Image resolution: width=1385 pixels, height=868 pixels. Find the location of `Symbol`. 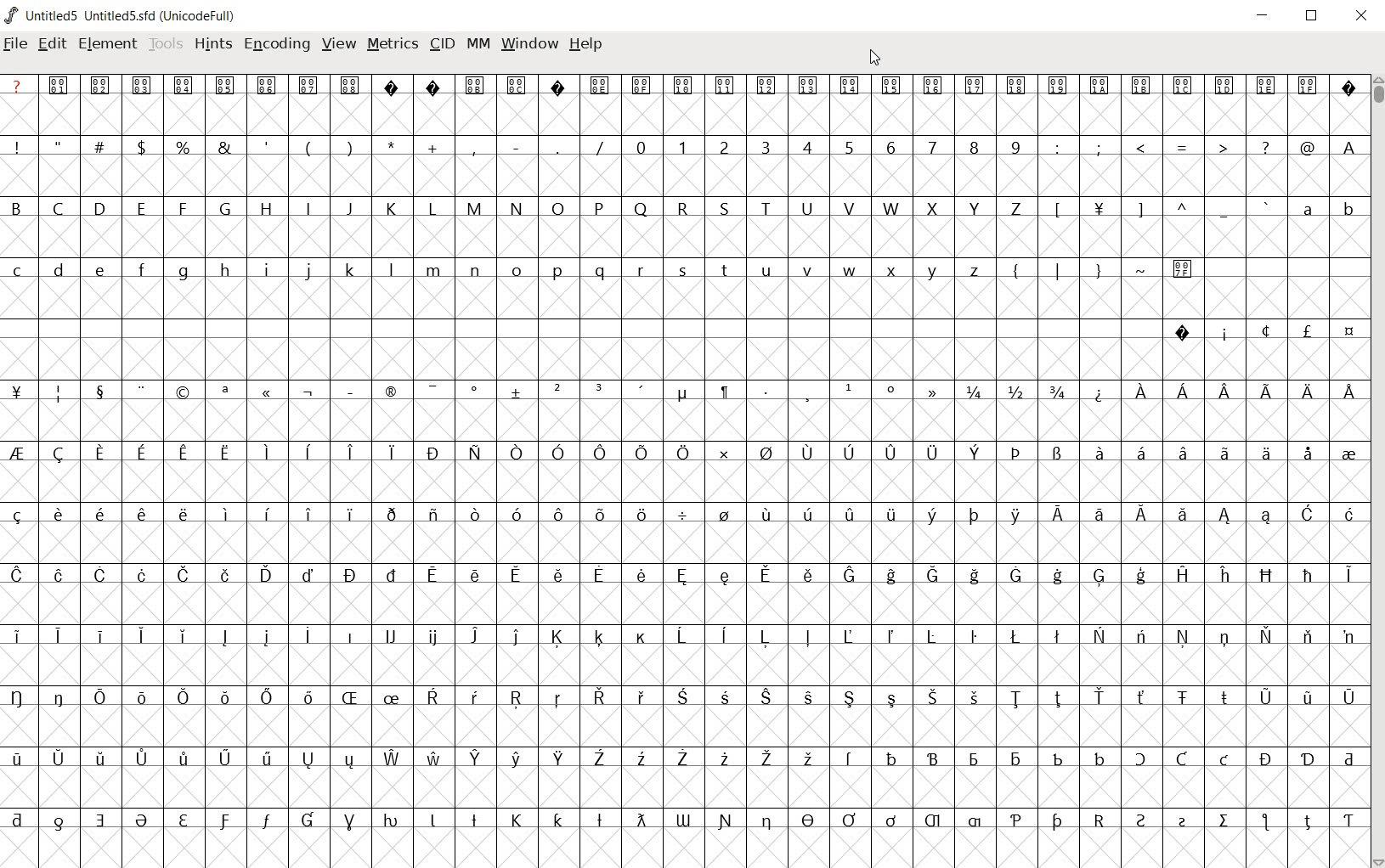

Symbol is located at coordinates (184, 575).